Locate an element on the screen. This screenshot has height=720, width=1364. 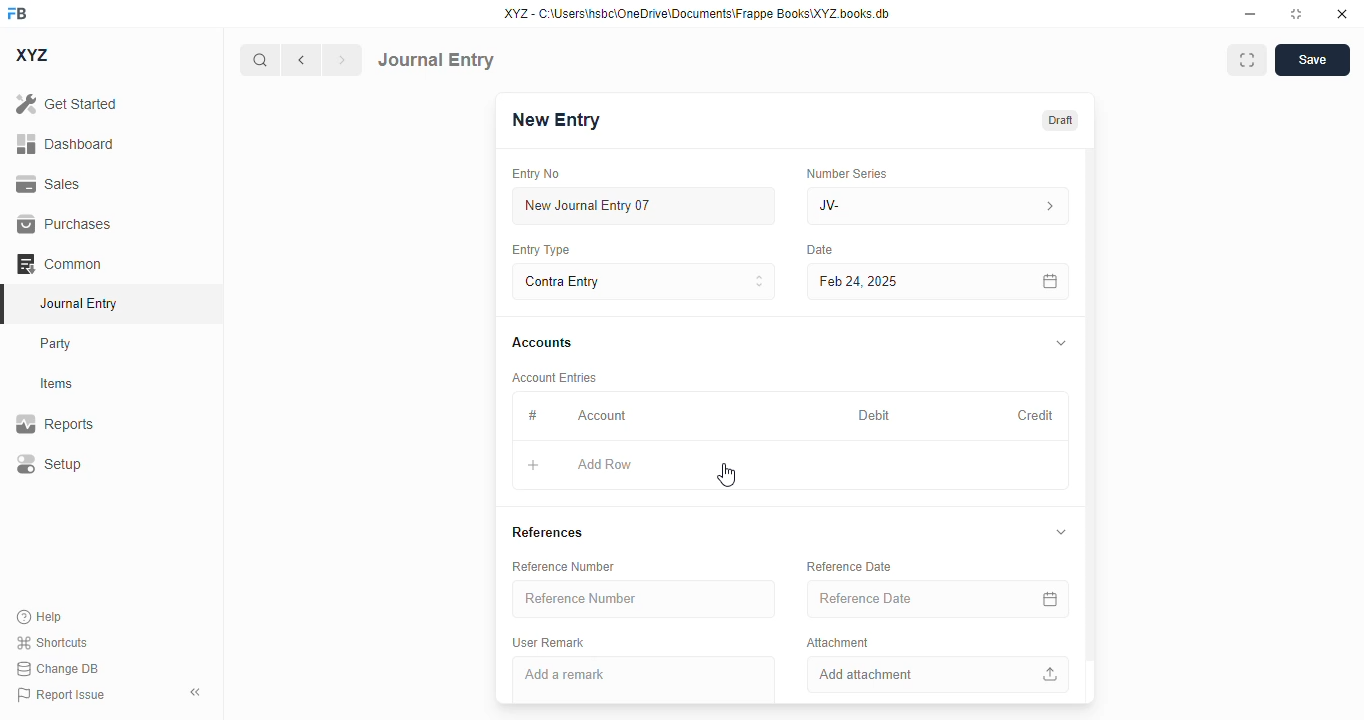
shortcuts is located at coordinates (52, 642).